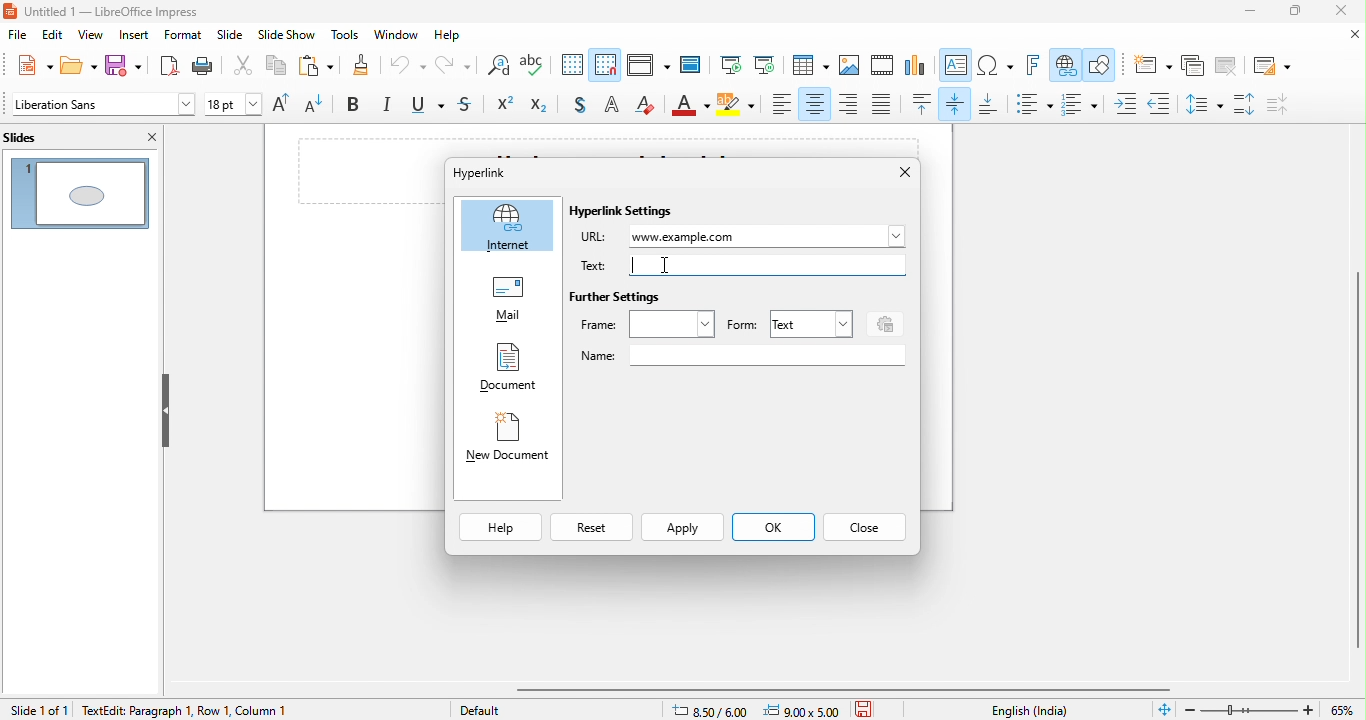 The height and width of the screenshot is (720, 1366). Describe the element at coordinates (573, 66) in the screenshot. I see `display to grid` at that location.